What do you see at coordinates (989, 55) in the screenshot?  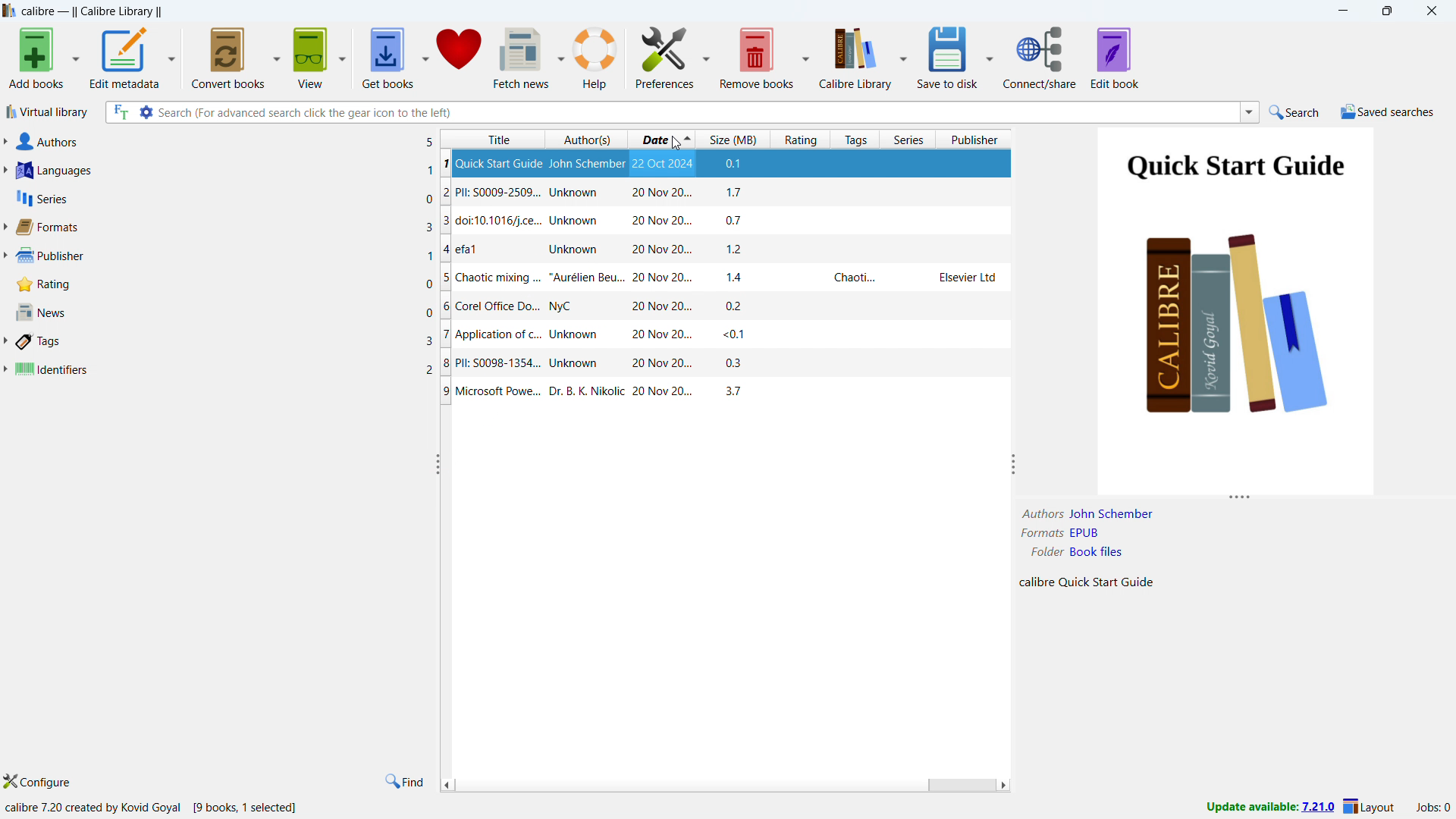 I see `save to disk options` at bounding box center [989, 55].